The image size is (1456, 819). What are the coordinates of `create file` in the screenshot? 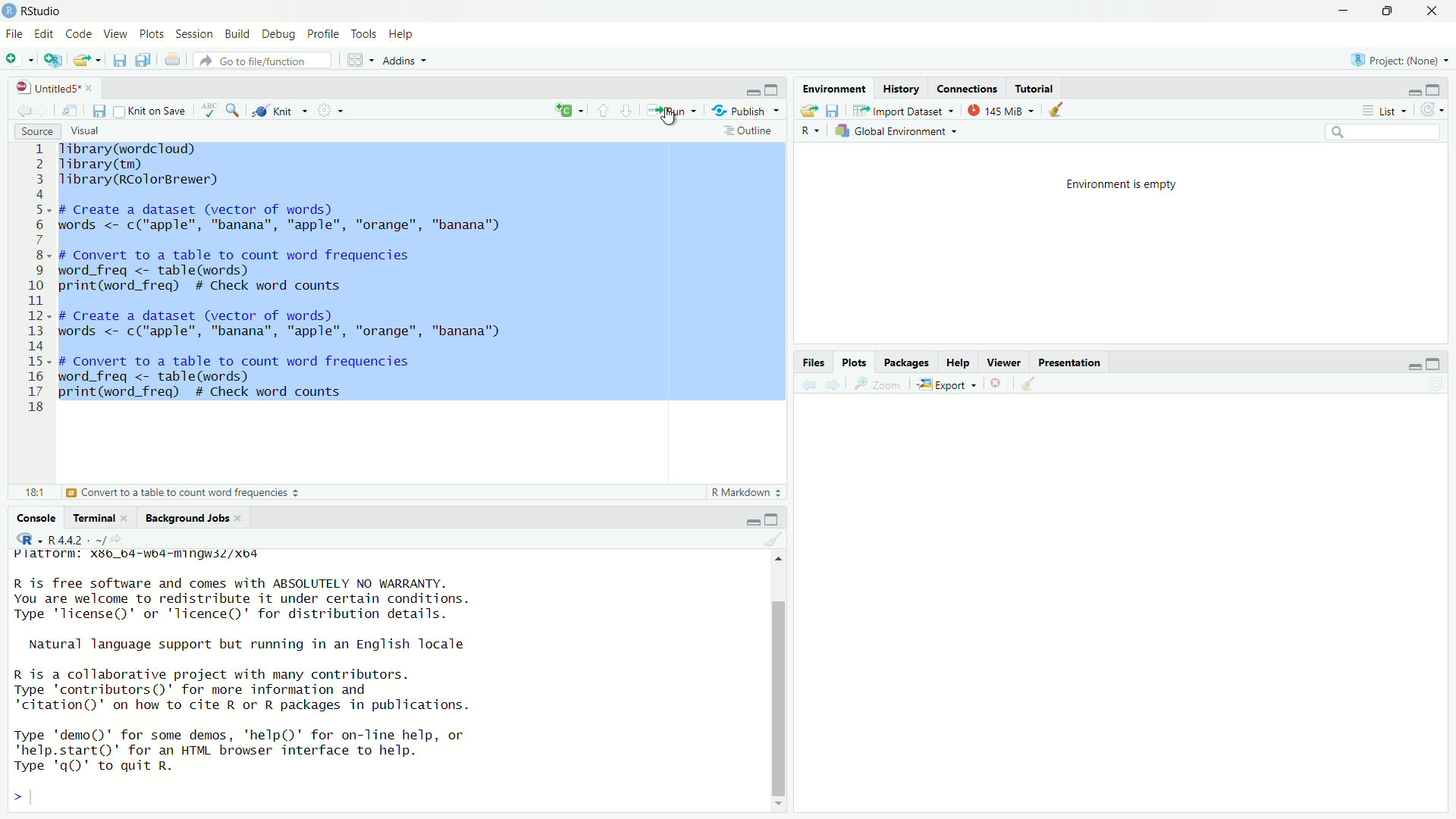 It's located at (572, 111).